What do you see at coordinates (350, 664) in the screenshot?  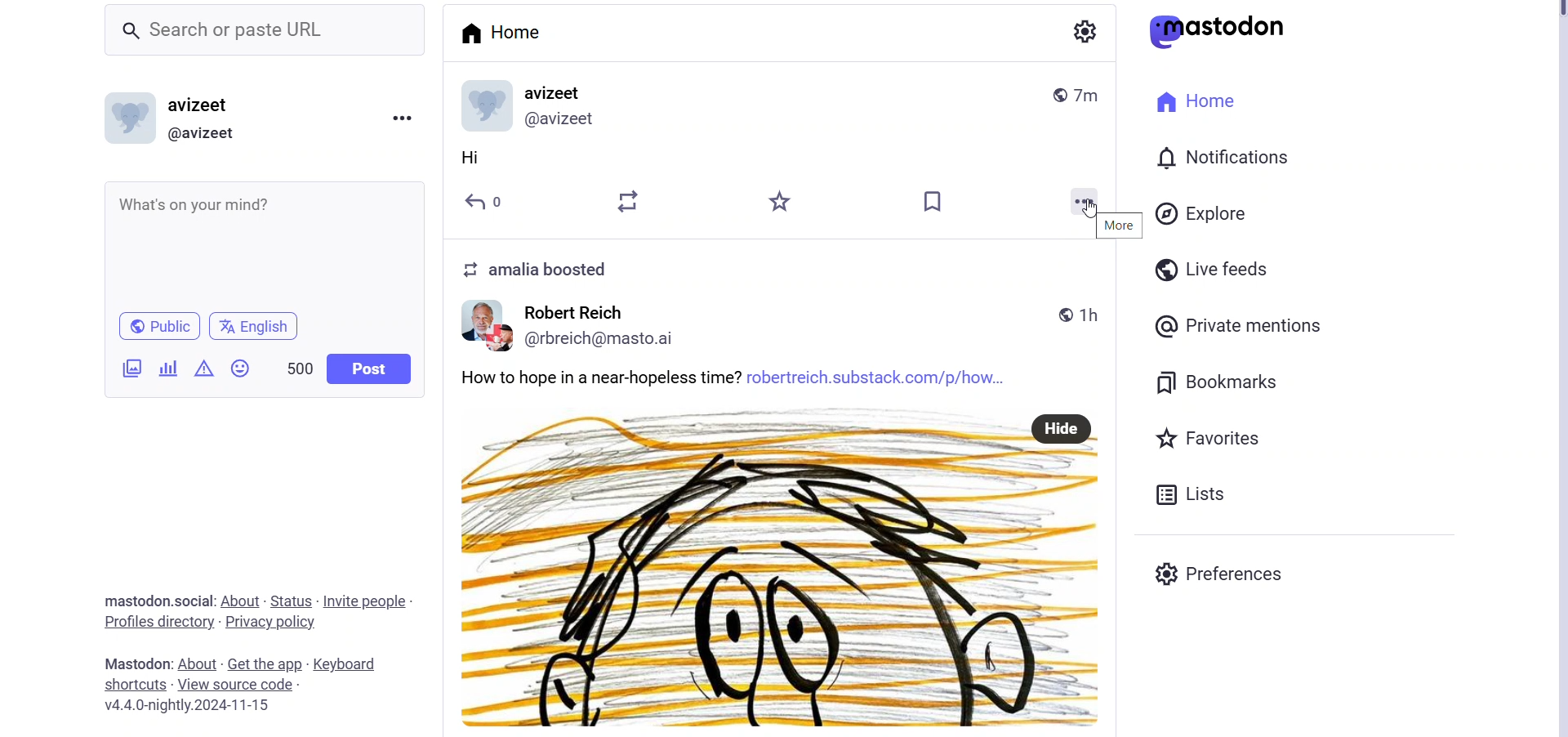 I see `Keyboard` at bounding box center [350, 664].